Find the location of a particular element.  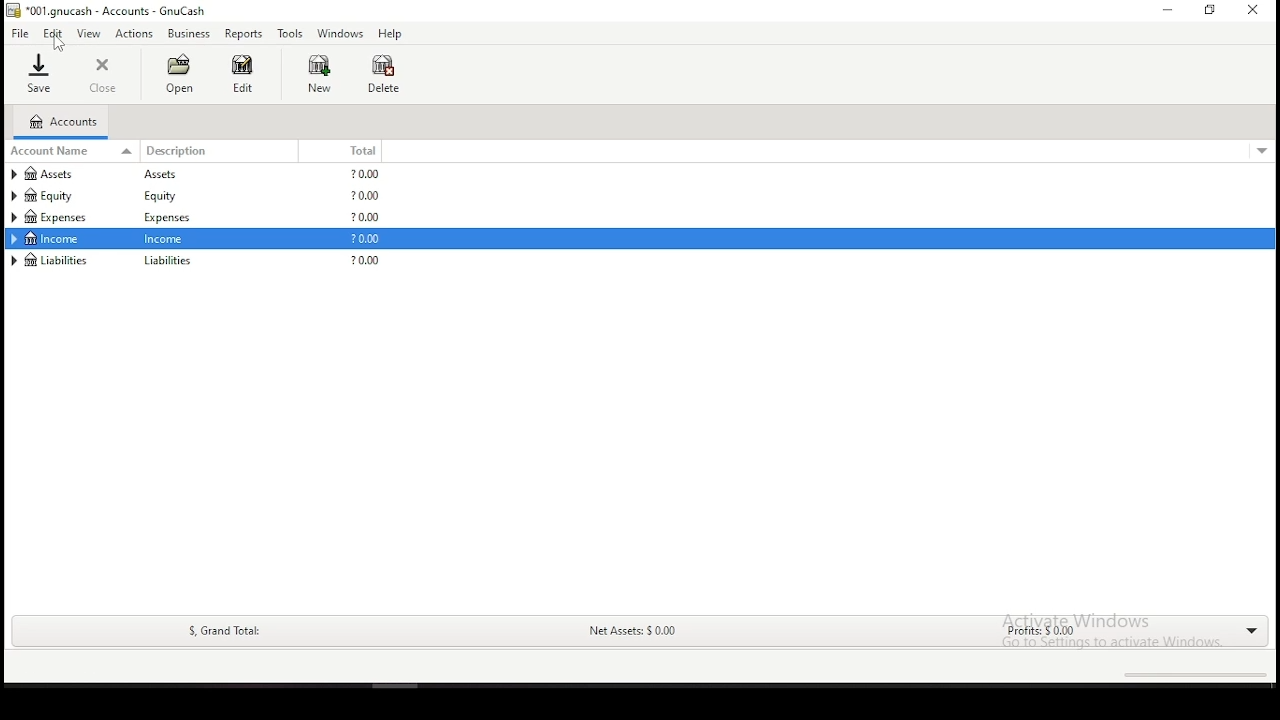

mouse pointer is located at coordinates (59, 41).